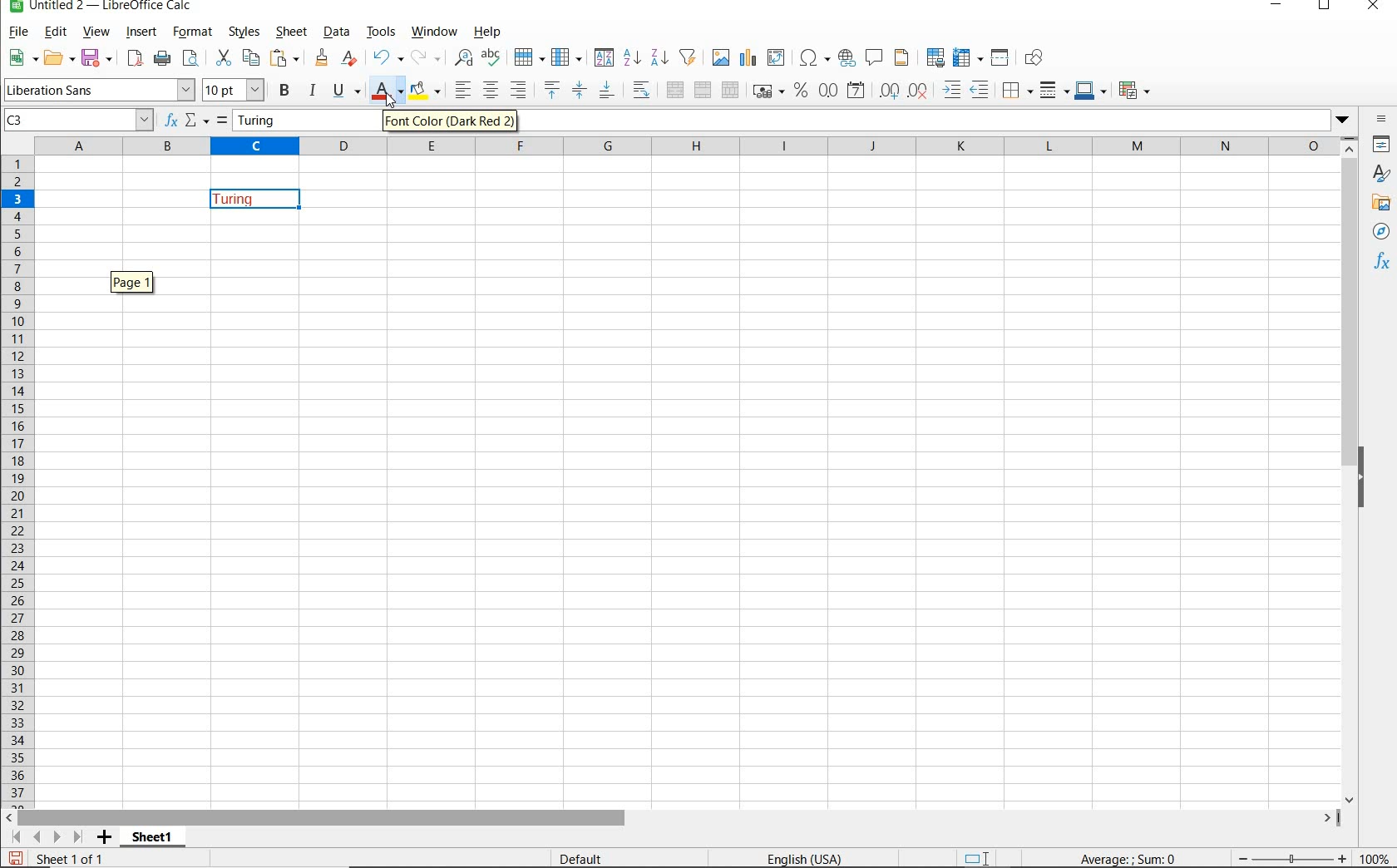 The width and height of the screenshot is (1397, 868). Describe the element at coordinates (949, 90) in the screenshot. I see `INCREASE INDENT` at that location.